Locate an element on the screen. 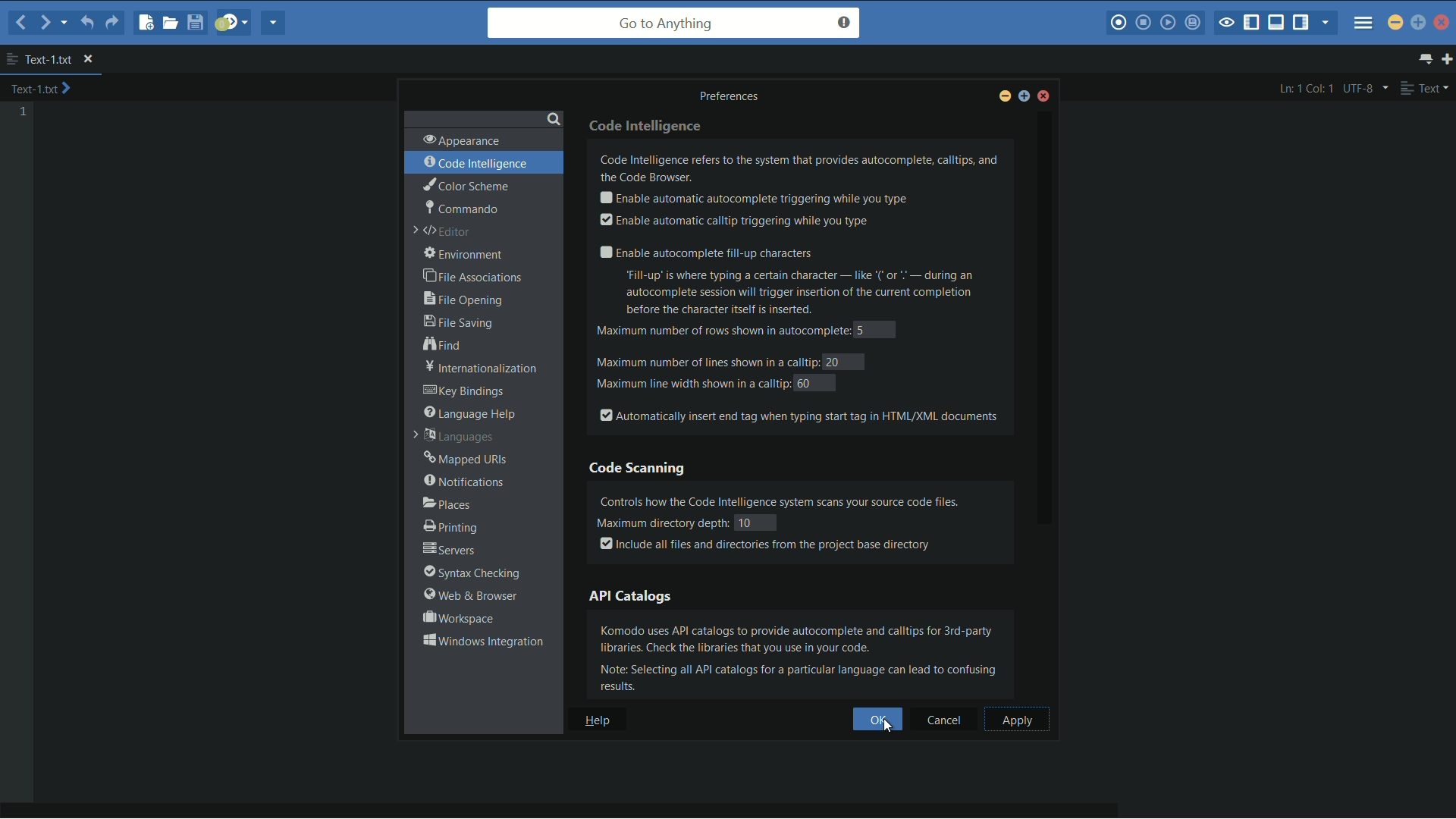 This screenshot has height=819, width=1456. Preferences is located at coordinates (735, 96).